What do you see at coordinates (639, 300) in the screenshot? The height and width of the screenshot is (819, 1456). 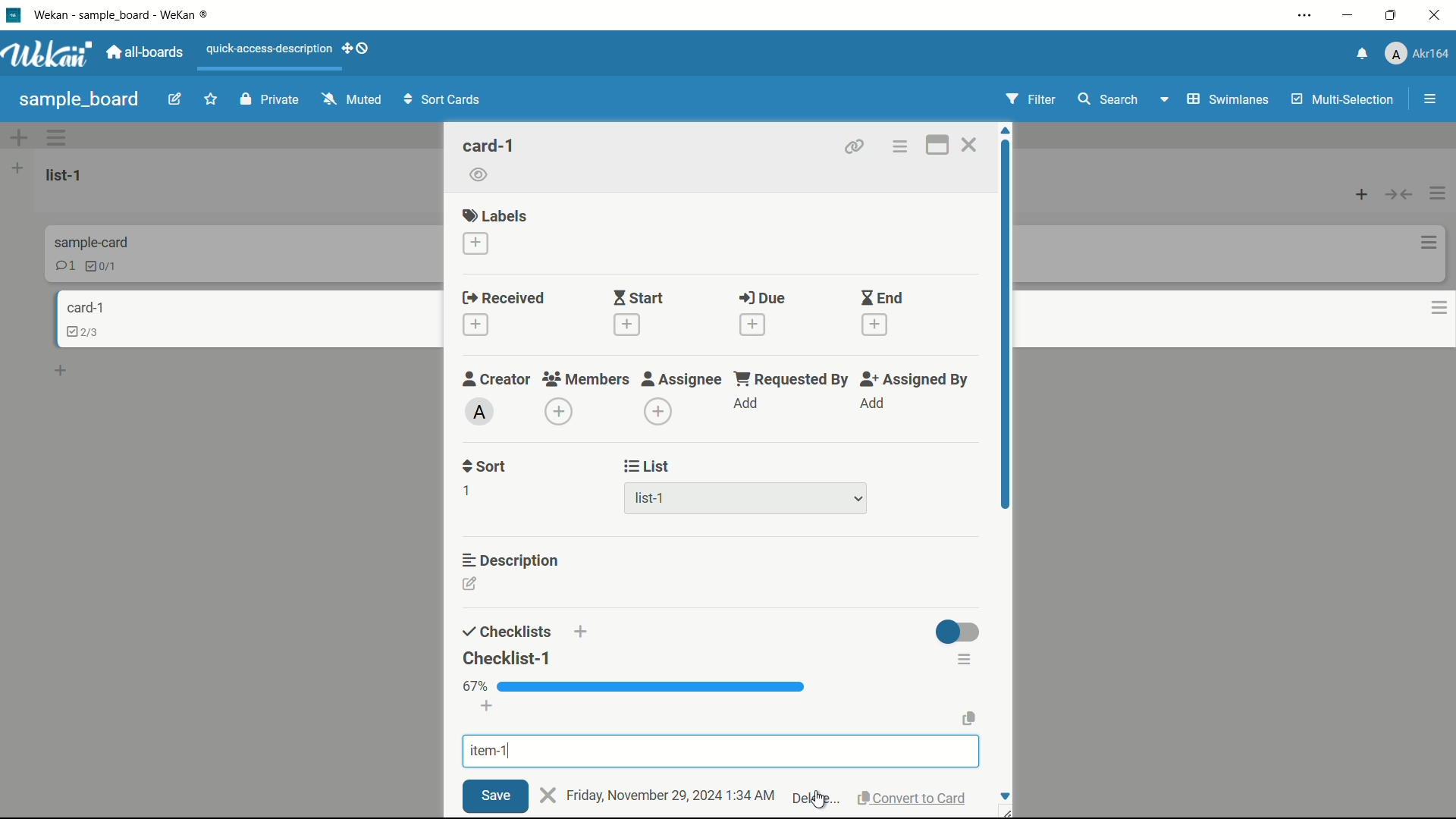 I see `start` at bounding box center [639, 300].